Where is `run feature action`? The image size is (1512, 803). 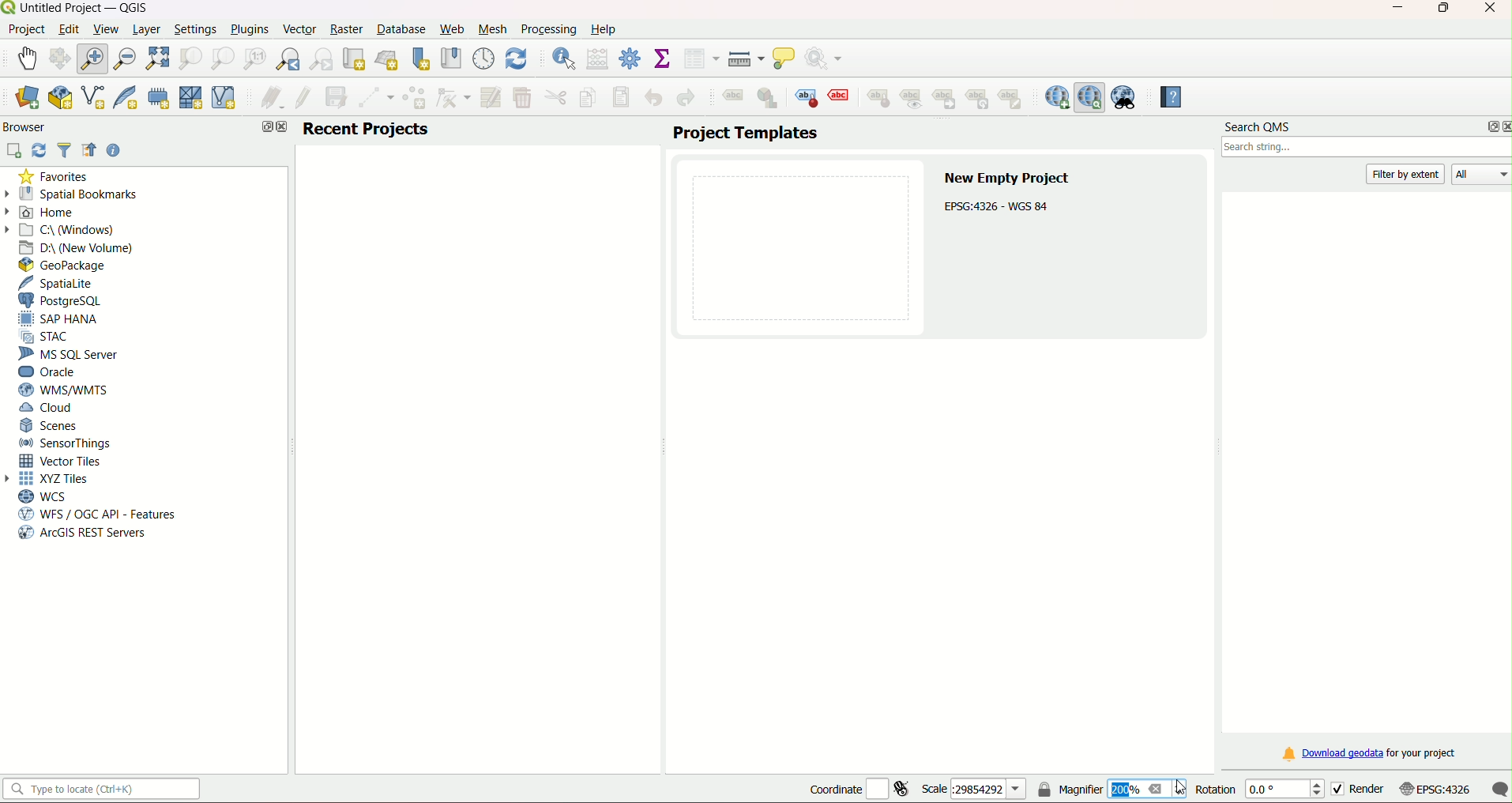 run feature action is located at coordinates (829, 59).